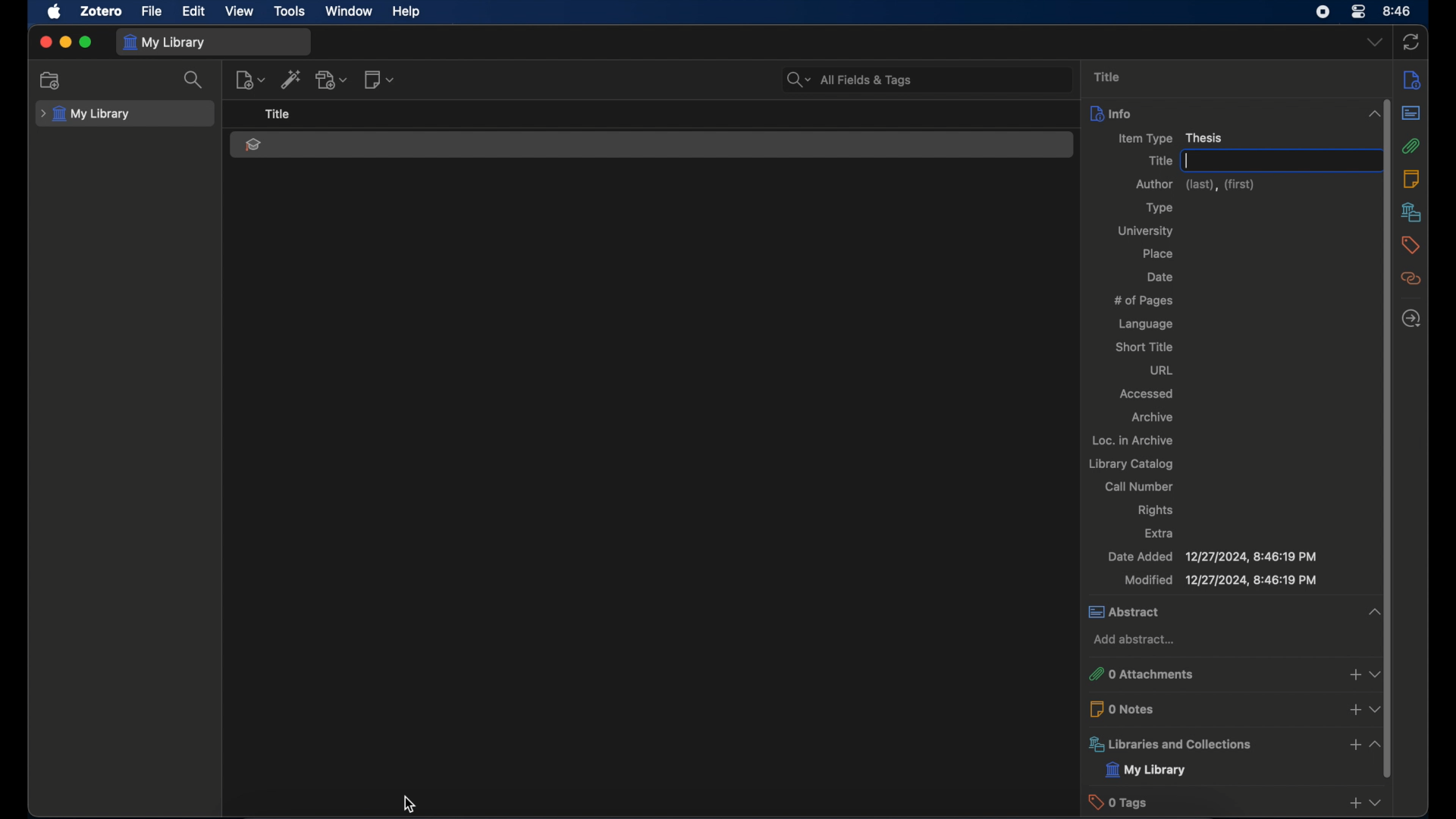 The height and width of the screenshot is (819, 1456). What do you see at coordinates (1161, 371) in the screenshot?
I see `url` at bounding box center [1161, 371].